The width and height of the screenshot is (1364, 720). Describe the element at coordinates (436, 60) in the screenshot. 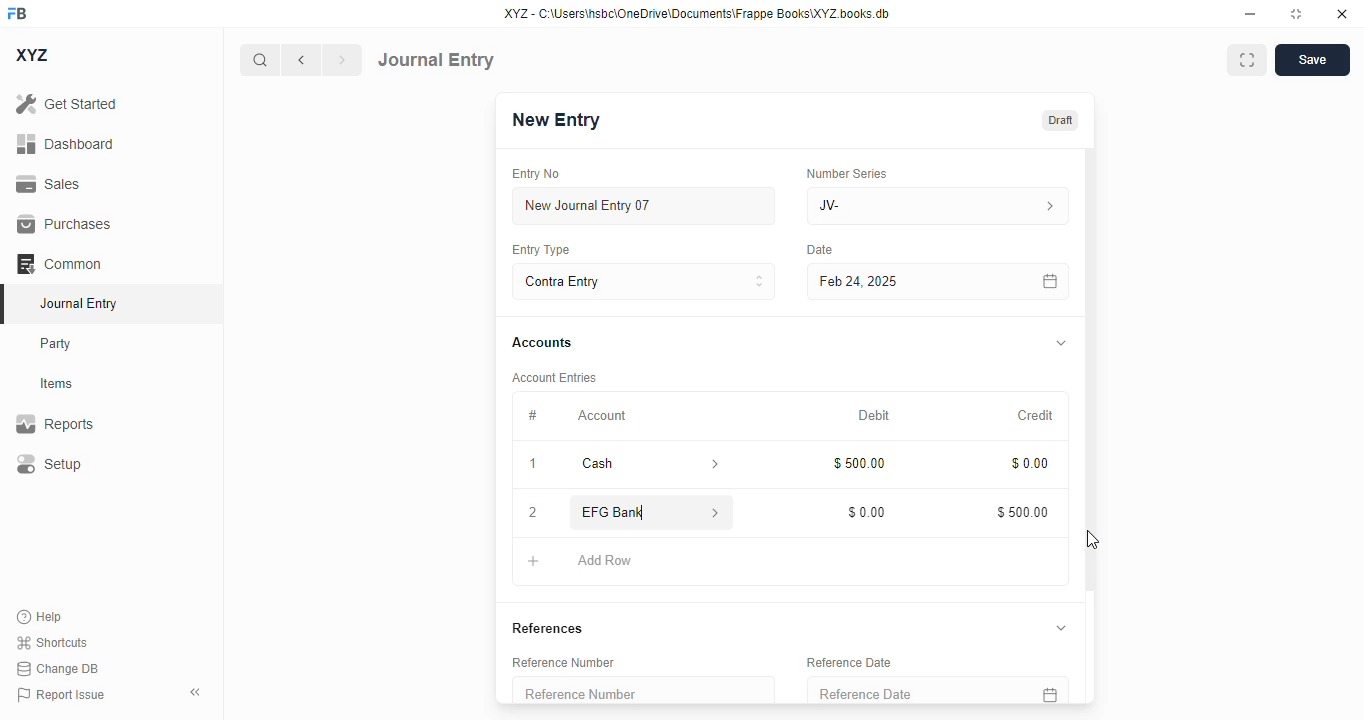

I see `journal entry` at that location.